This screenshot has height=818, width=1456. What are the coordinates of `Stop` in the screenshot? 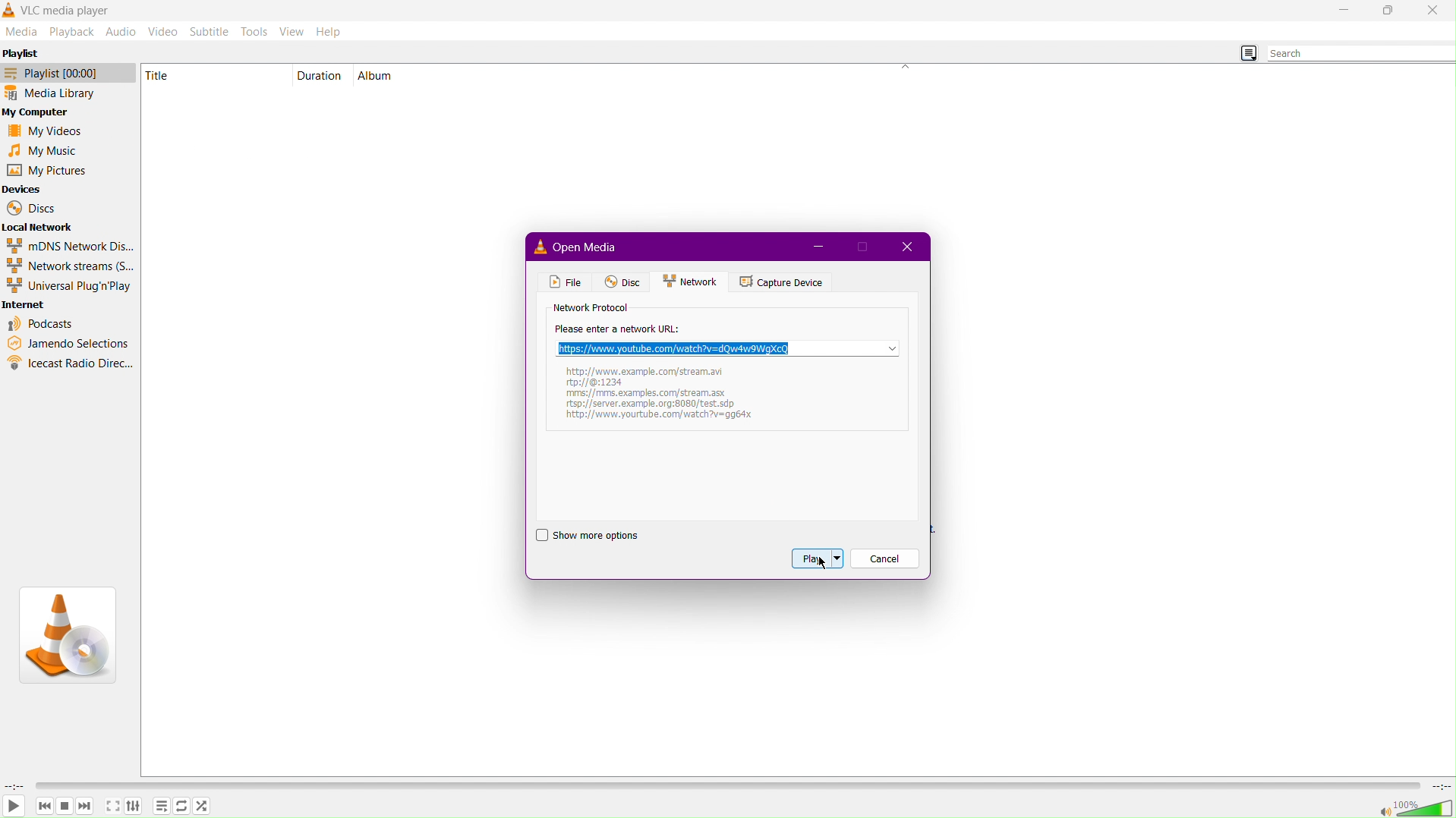 It's located at (66, 807).